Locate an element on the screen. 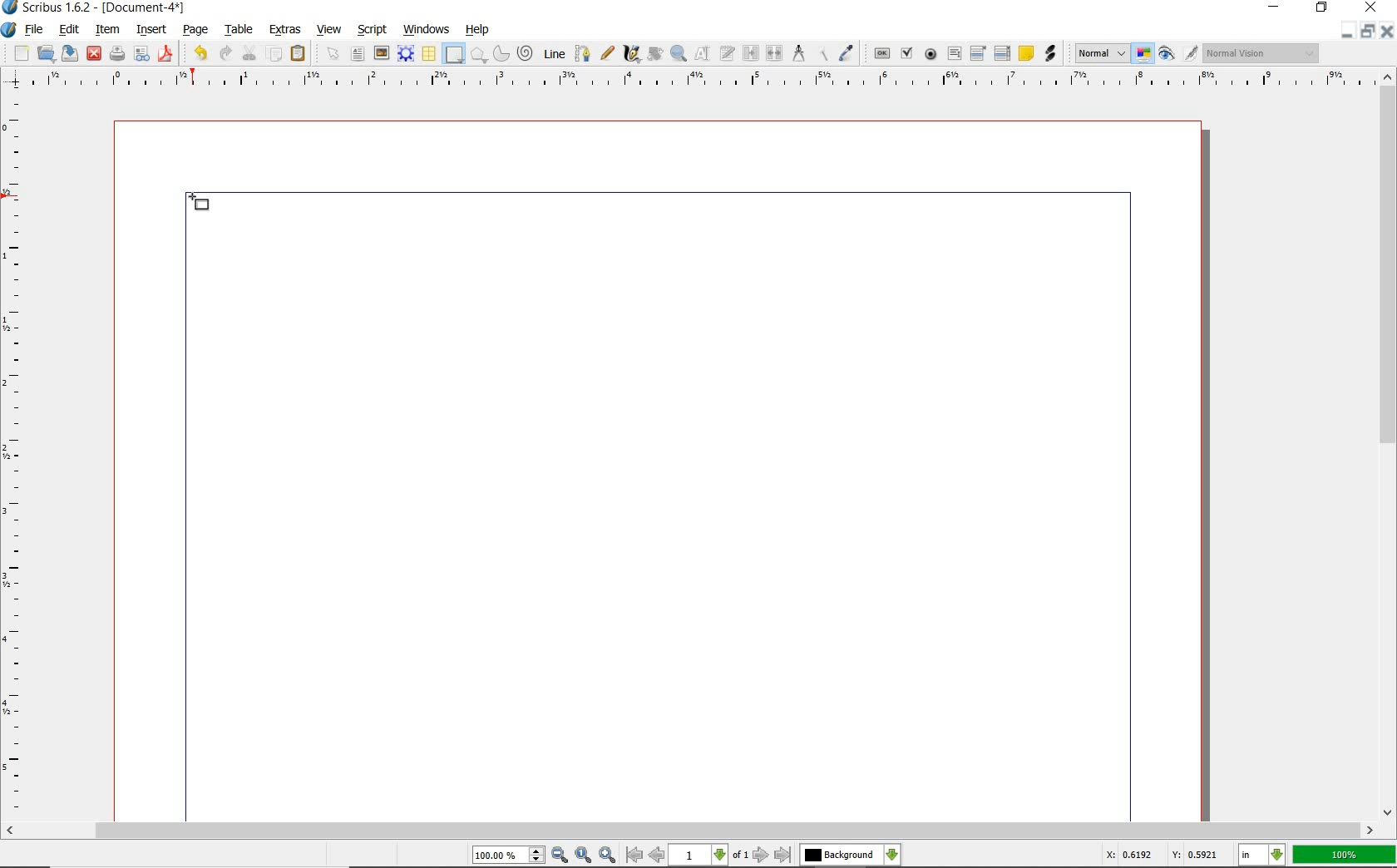  close is located at coordinates (1388, 31).